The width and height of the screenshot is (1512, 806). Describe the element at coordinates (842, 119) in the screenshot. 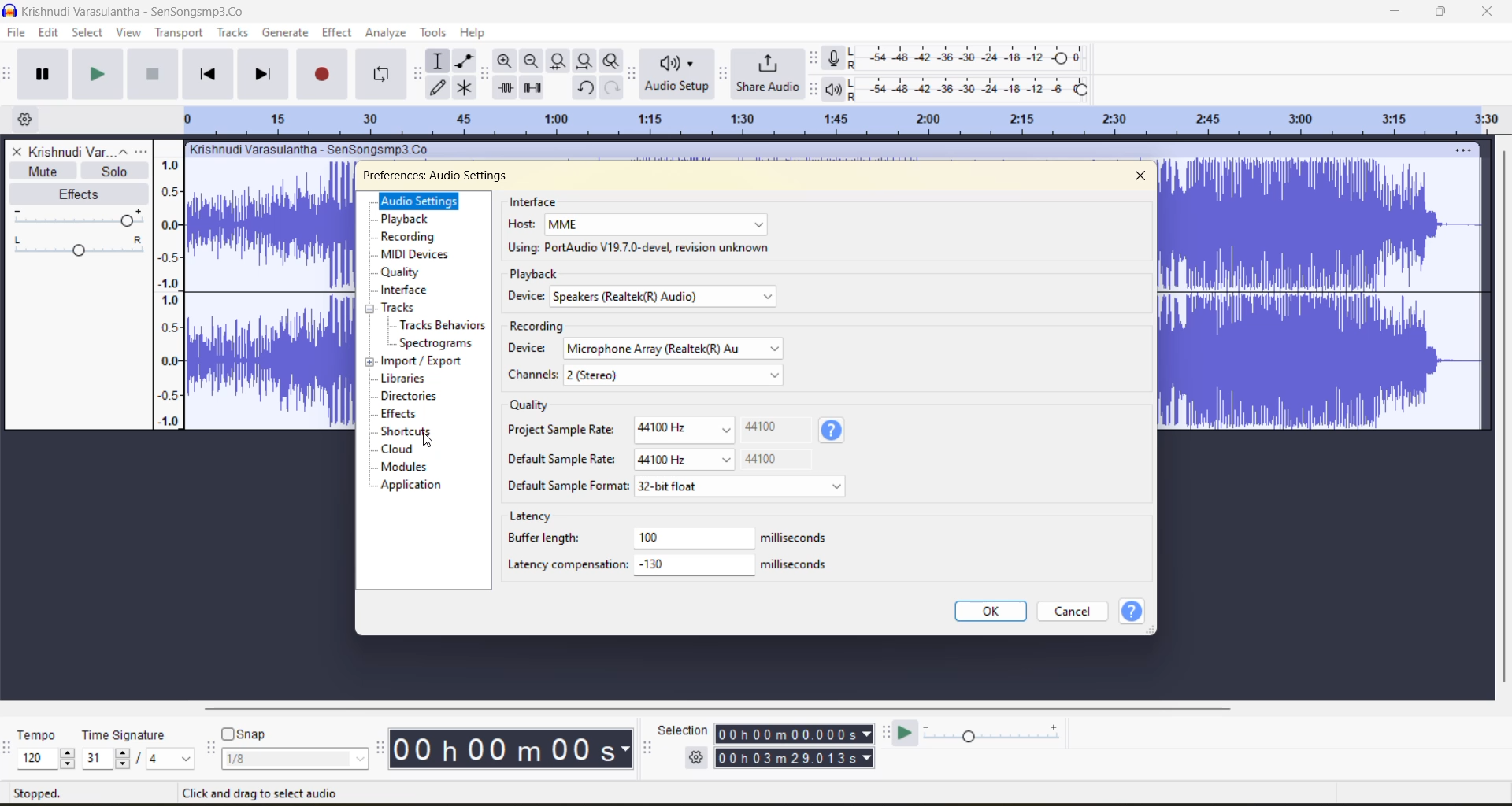

I see `Scale` at that location.